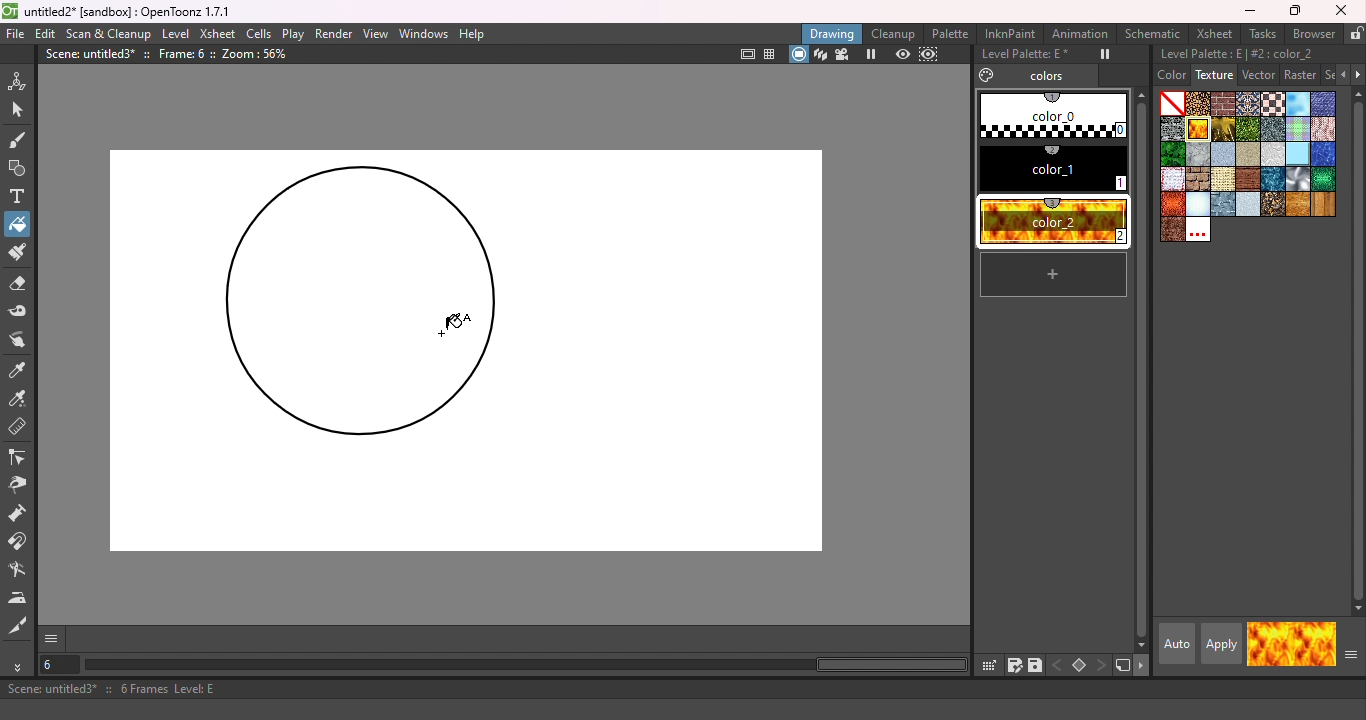 This screenshot has width=1366, height=720. What do you see at coordinates (1268, 643) in the screenshot?
I see `current style` at bounding box center [1268, 643].